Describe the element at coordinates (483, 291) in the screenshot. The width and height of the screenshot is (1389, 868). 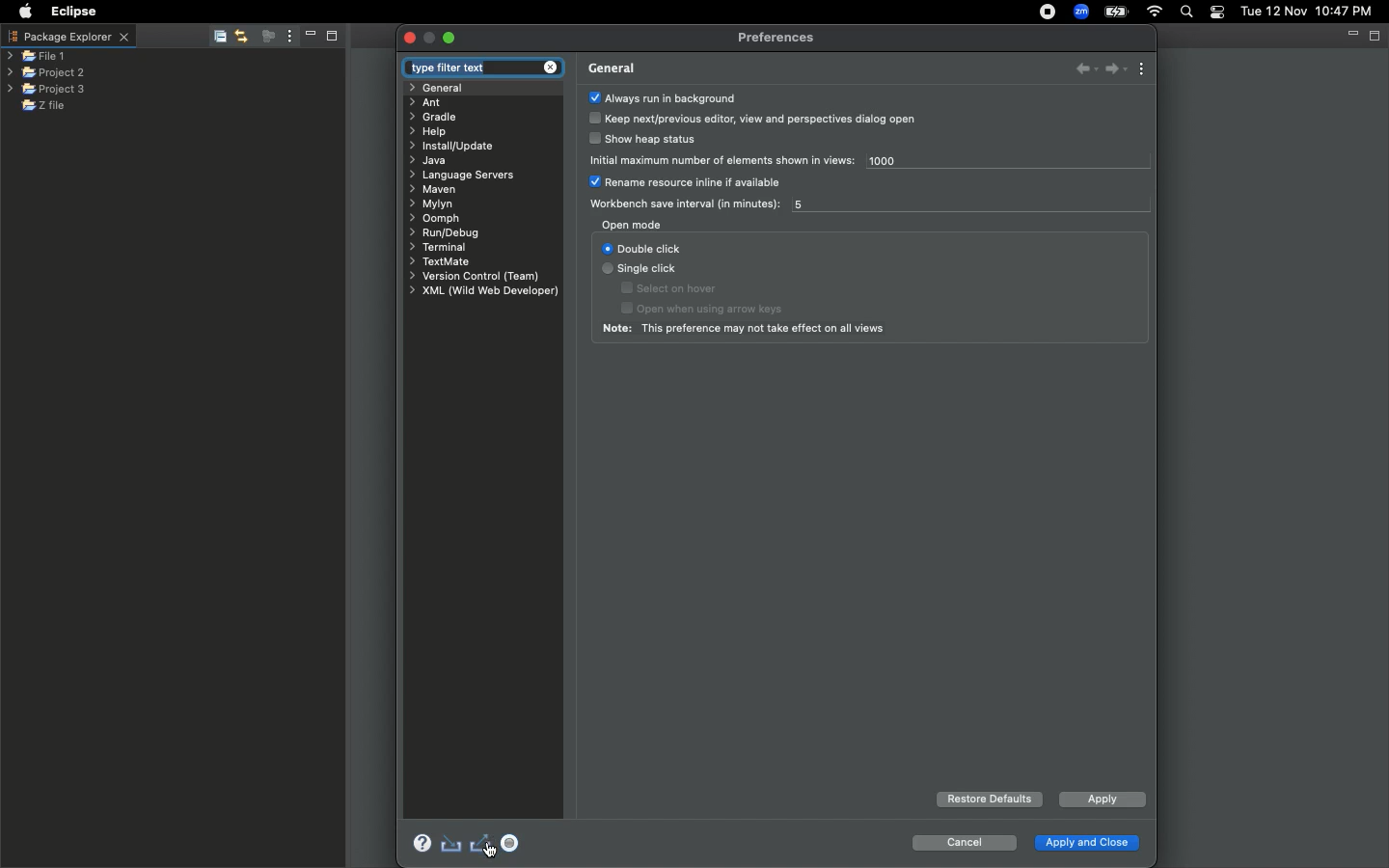
I see `XML (wild web developer)` at that location.